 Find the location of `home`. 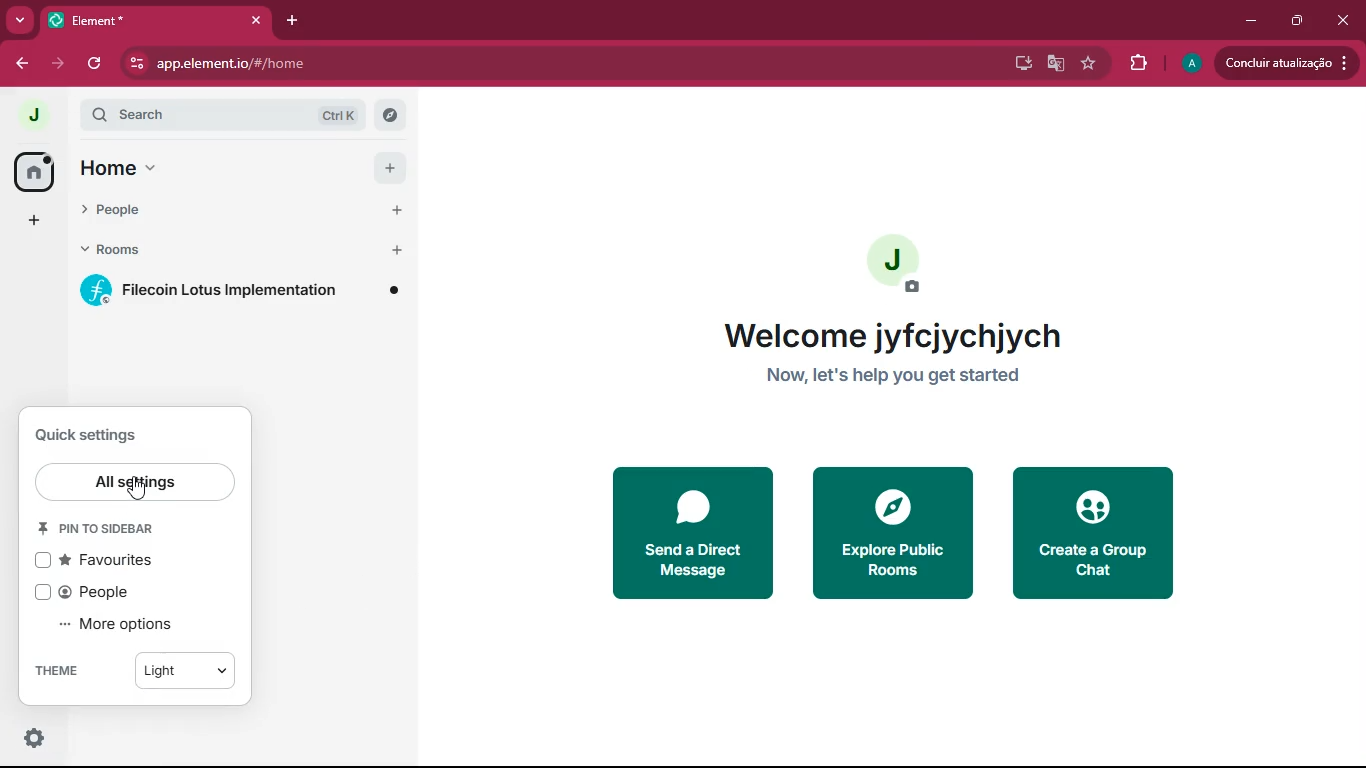

home is located at coordinates (121, 171).